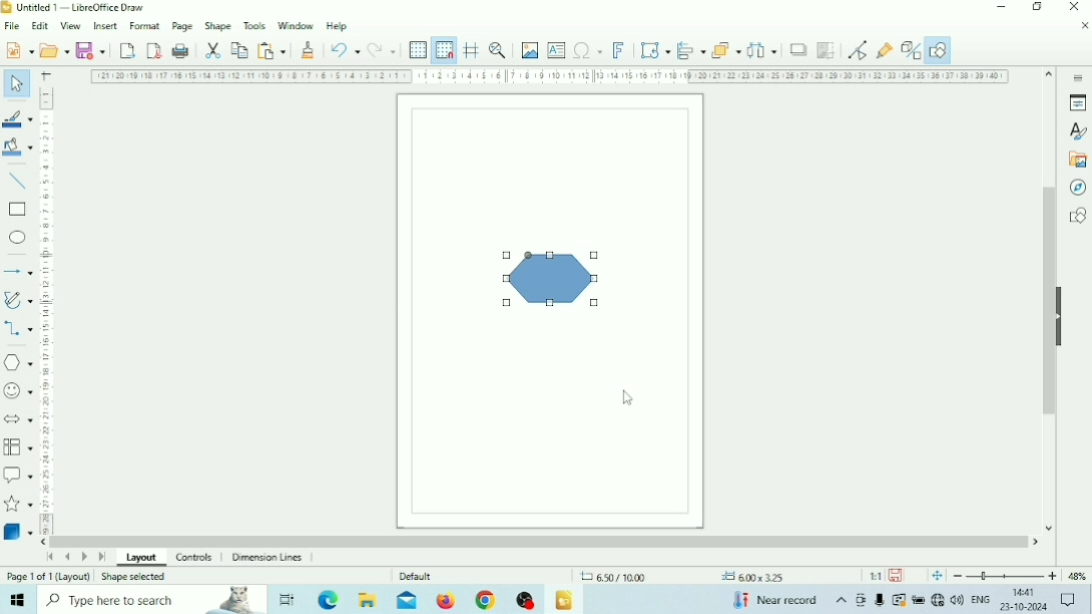  Describe the element at coordinates (17, 146) in the screenshot. I see `Fill Color` at that location.